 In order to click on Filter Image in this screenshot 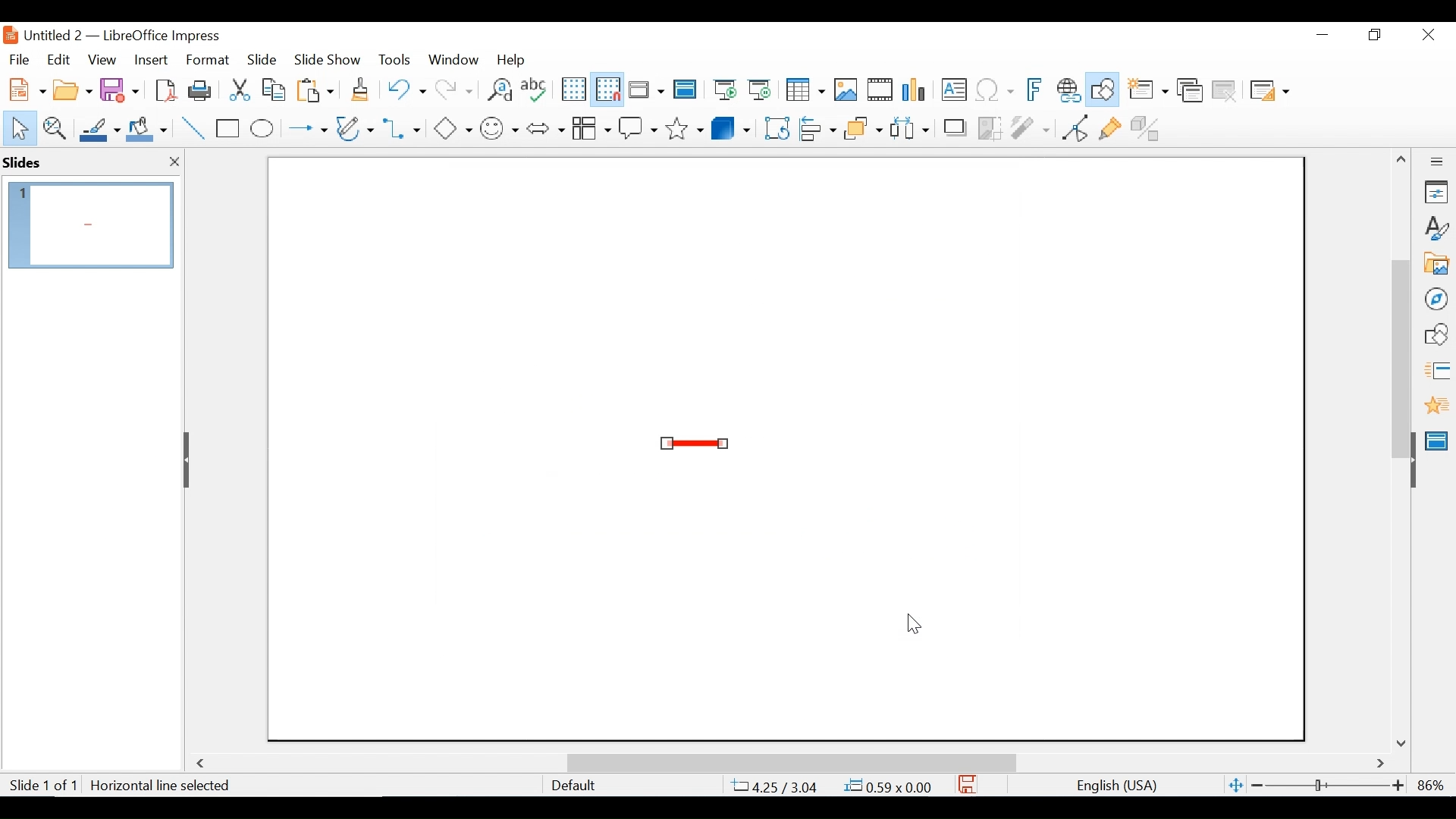, I will do `click(1030, 127)`.